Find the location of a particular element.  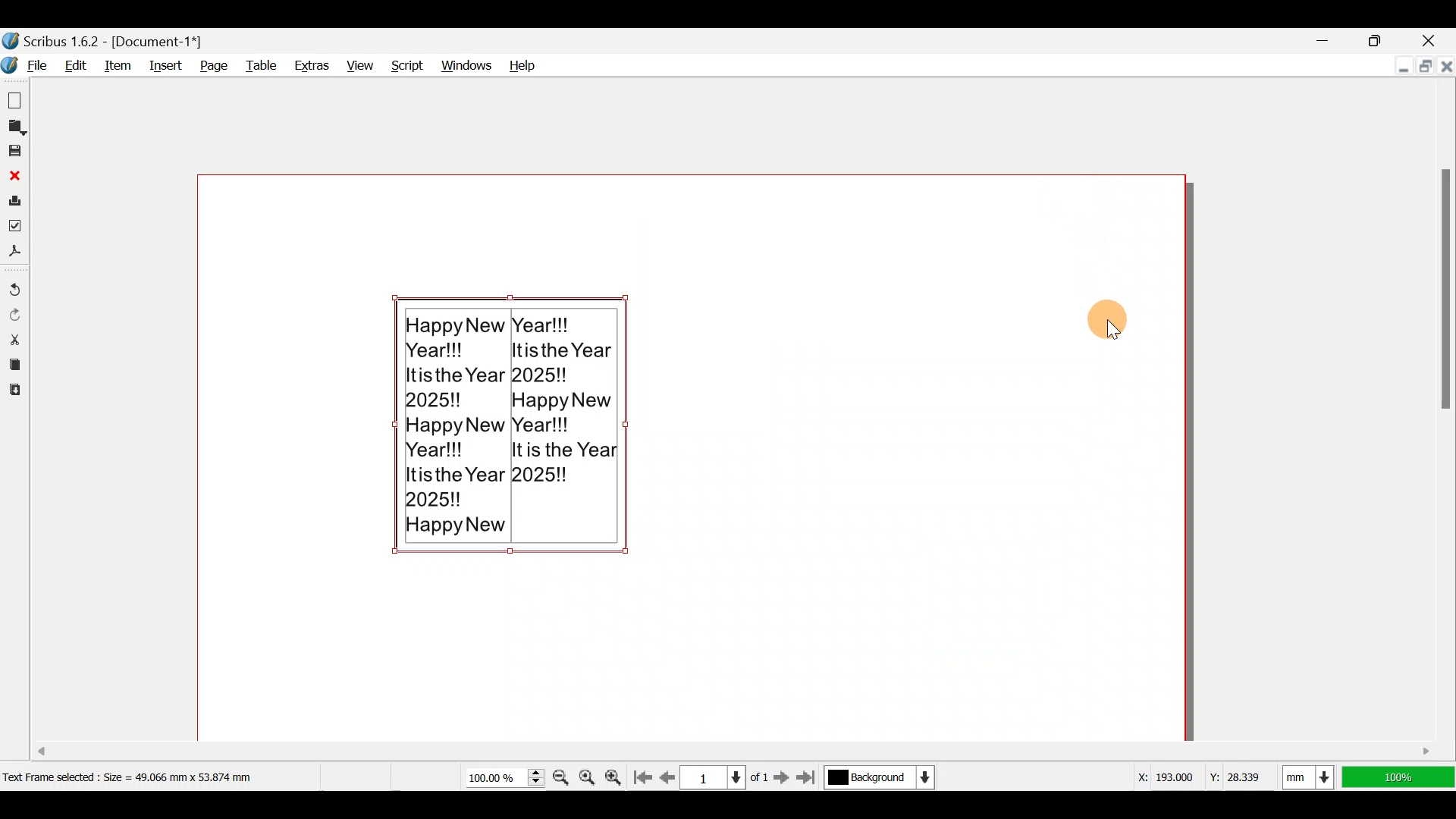

Extras is located at coordinates (313, 64).